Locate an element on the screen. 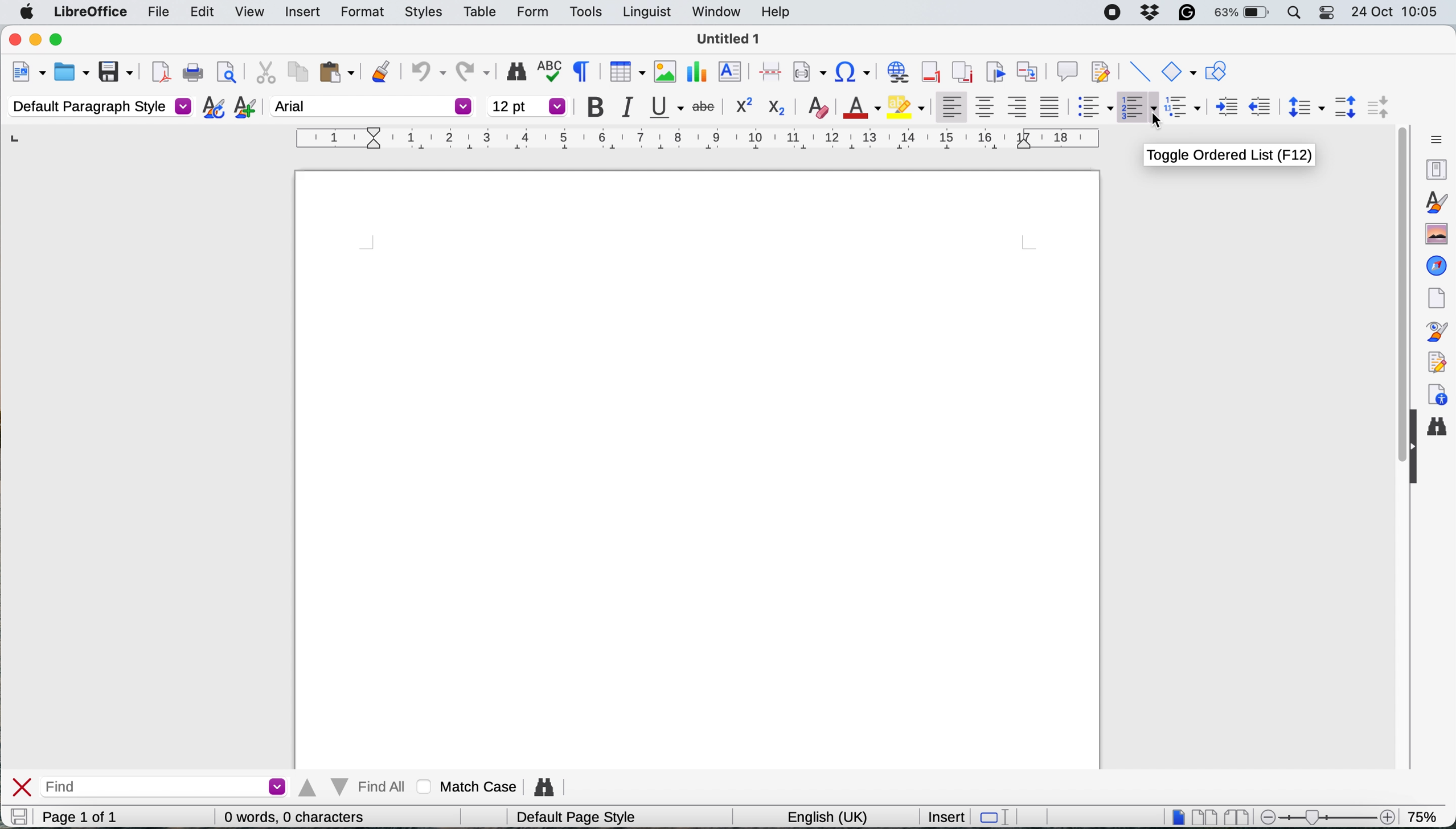 Image resolution: width=1456 pixels, height=829 pixels. navigator is located at coordinates (1437, 265).